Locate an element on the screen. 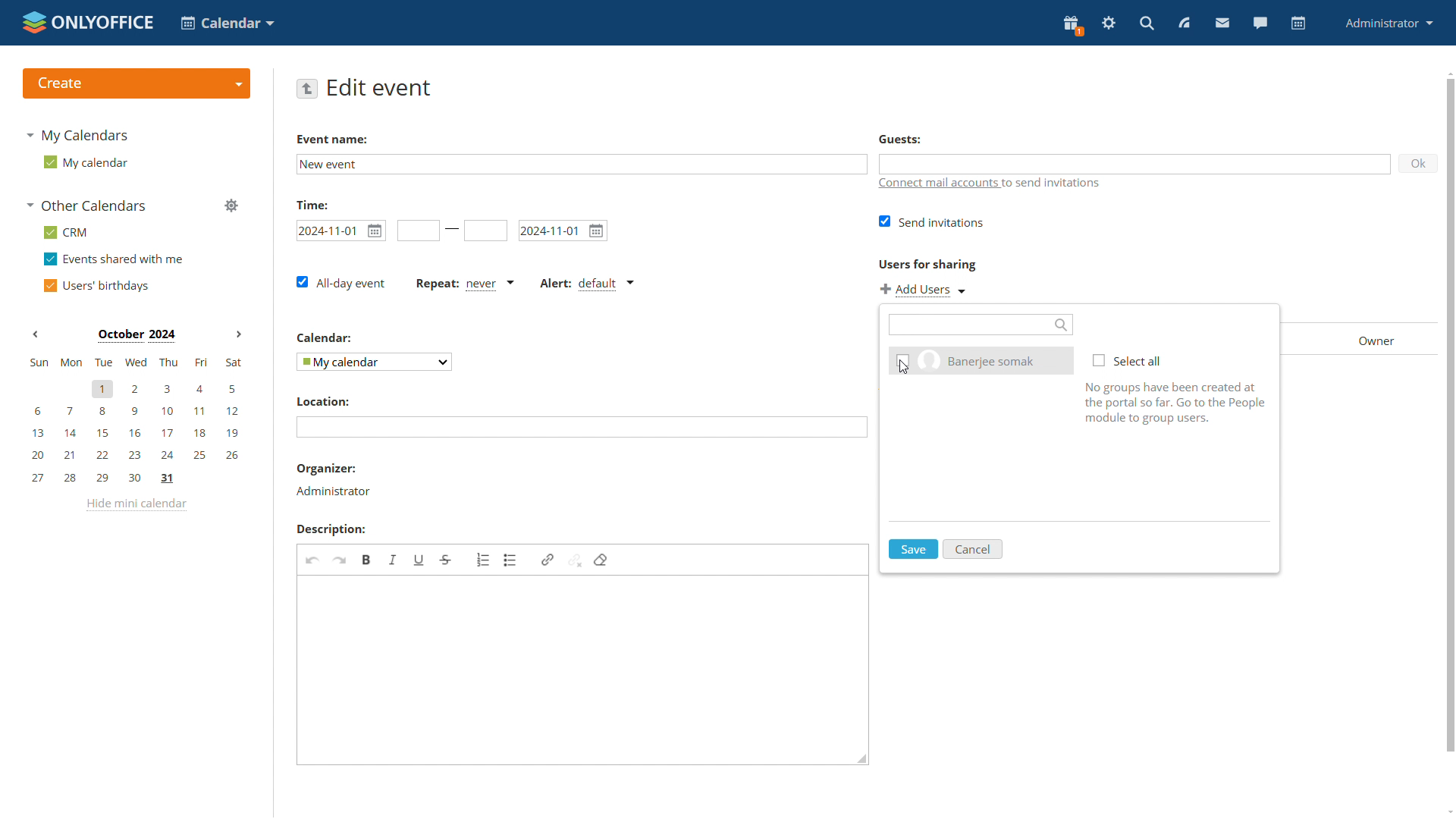 This screenshot has height=819, width=1456. event Name is located at coordinates (334, 140).